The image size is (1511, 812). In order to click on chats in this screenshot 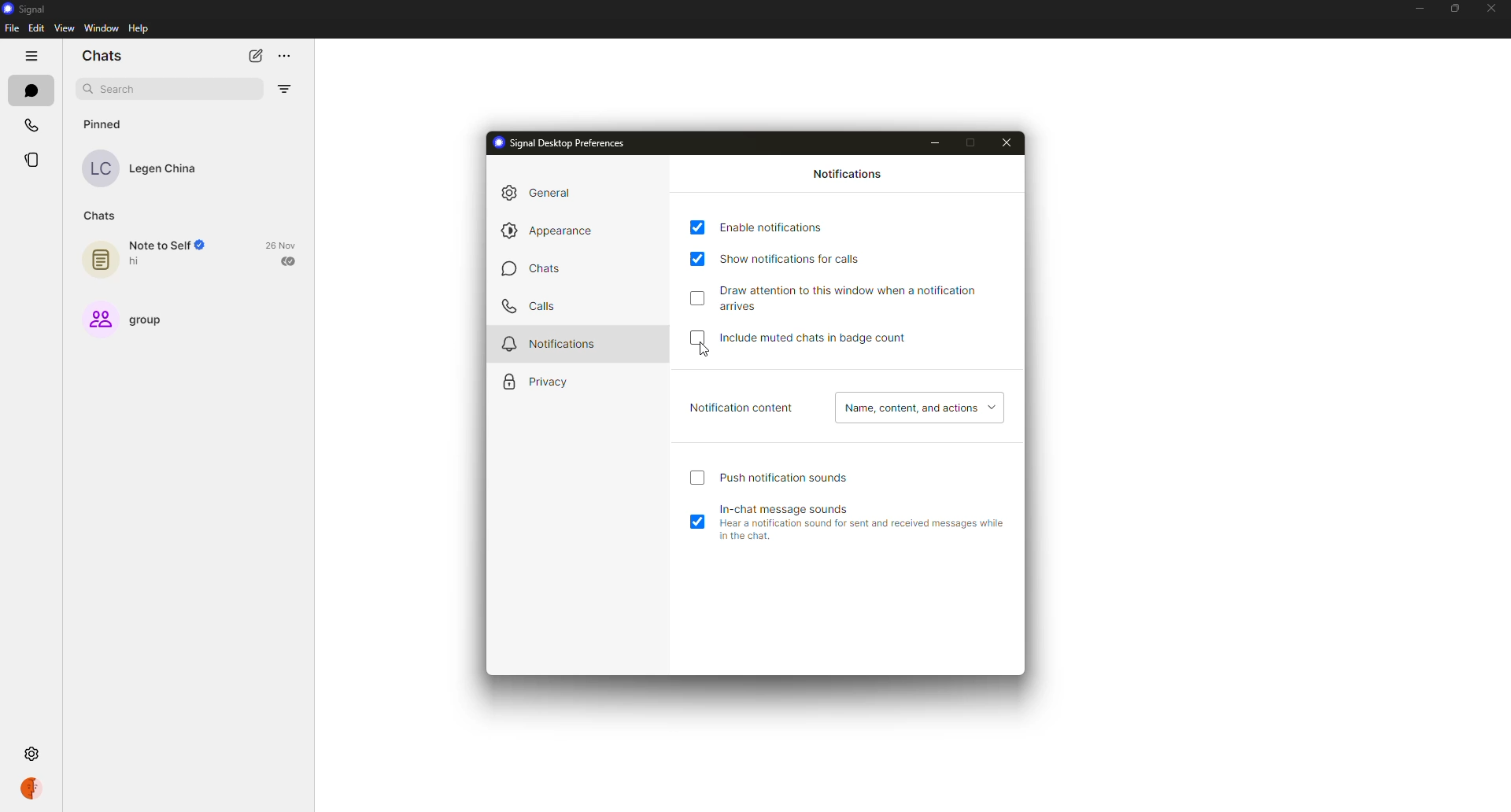, I will do `click(104, 216)`.